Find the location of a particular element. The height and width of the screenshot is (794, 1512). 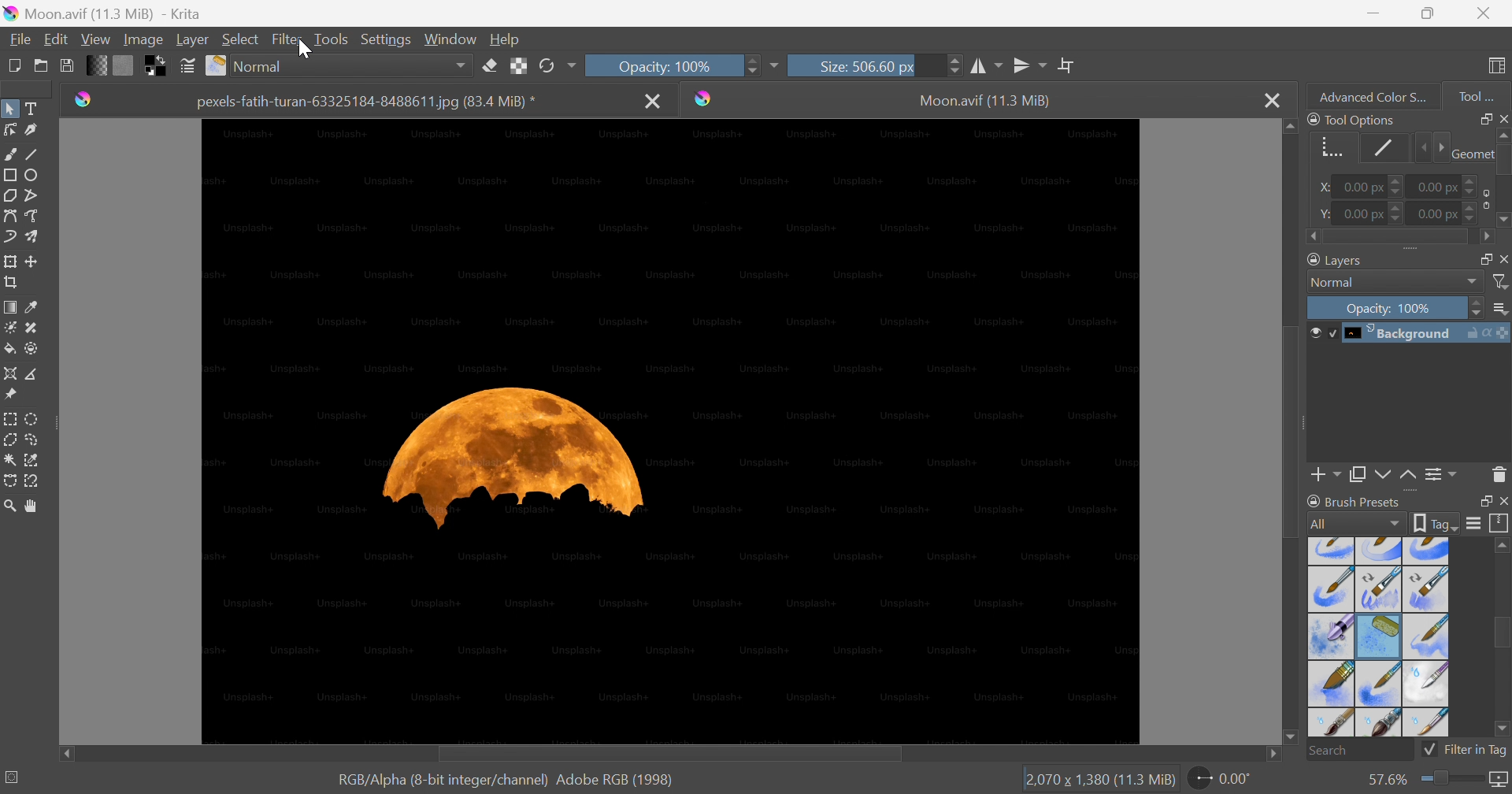

Crop an image to an area is located at coordinates (9, 280).